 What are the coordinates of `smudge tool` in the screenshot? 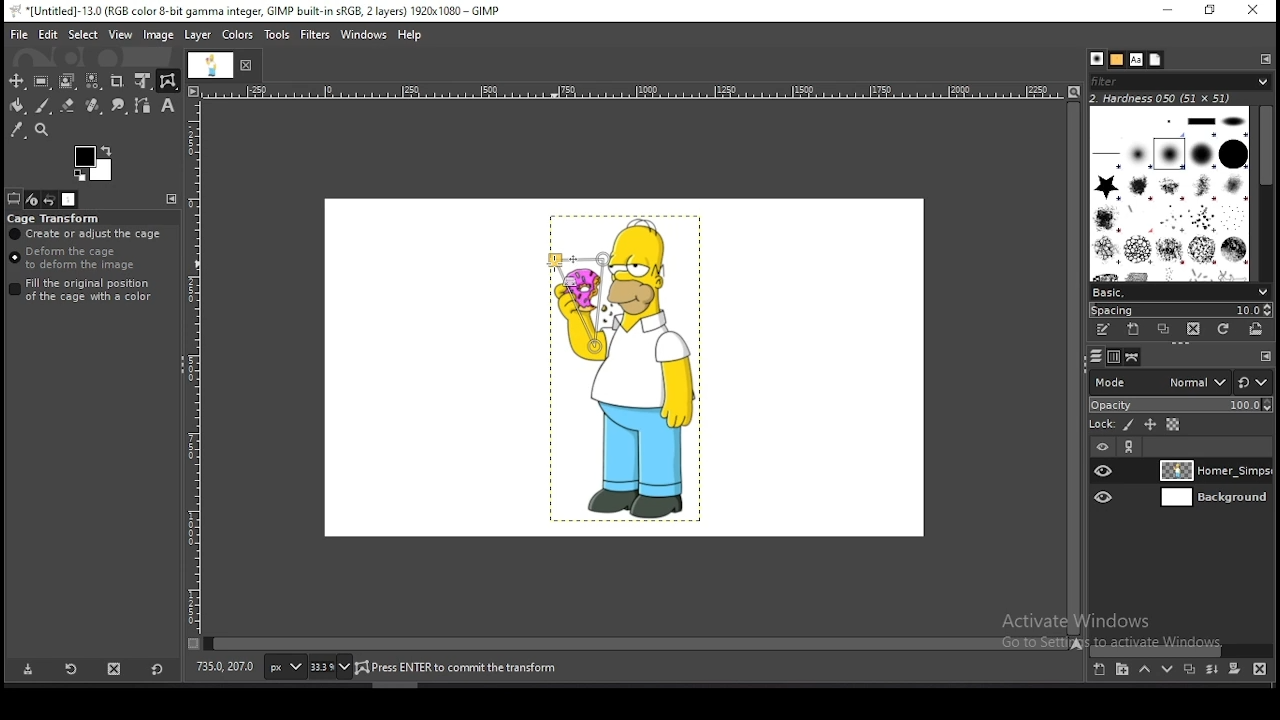 It's located at (117, 105).